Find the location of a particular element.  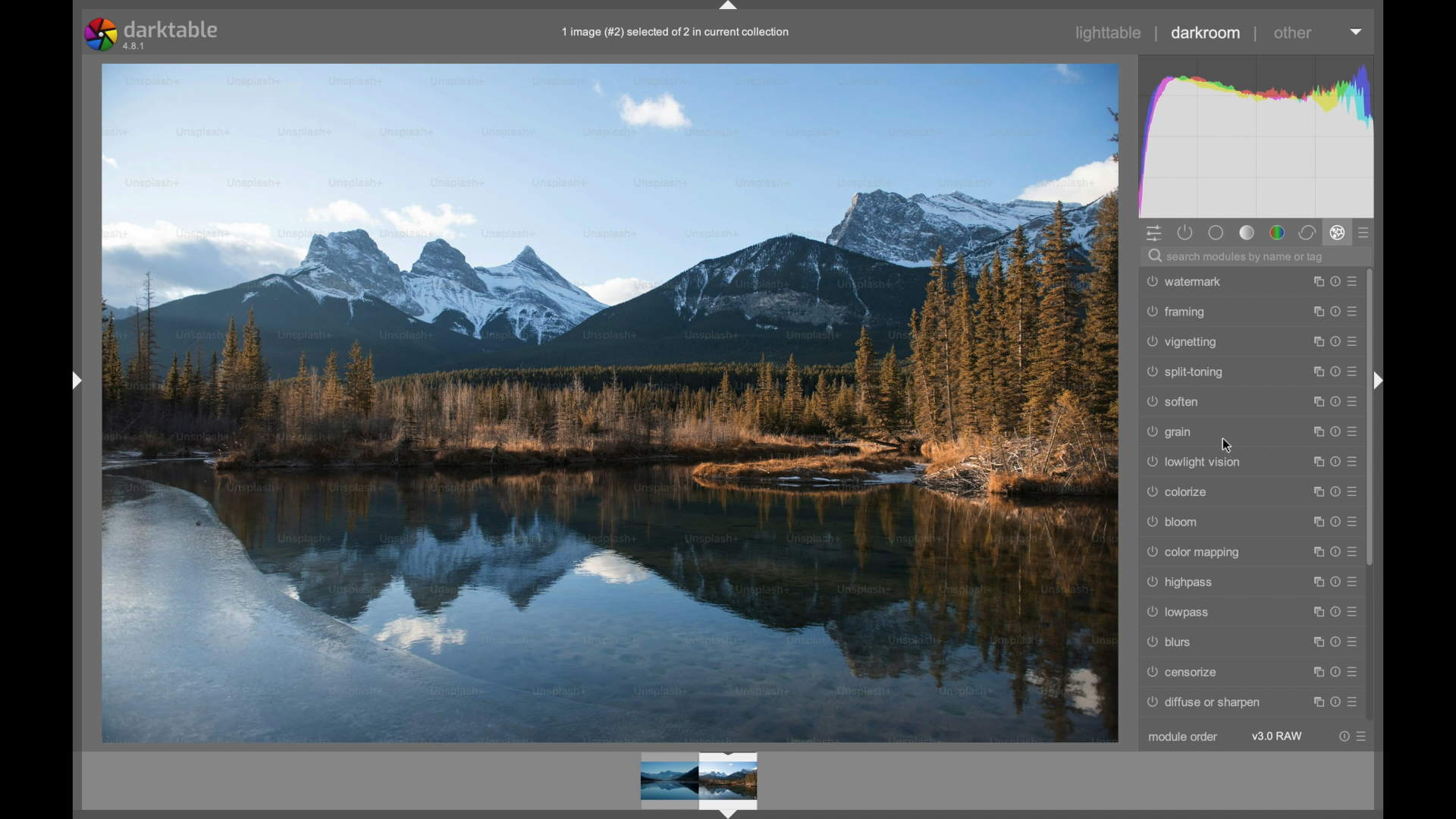

colorize is located at coordinates (1176, 491).